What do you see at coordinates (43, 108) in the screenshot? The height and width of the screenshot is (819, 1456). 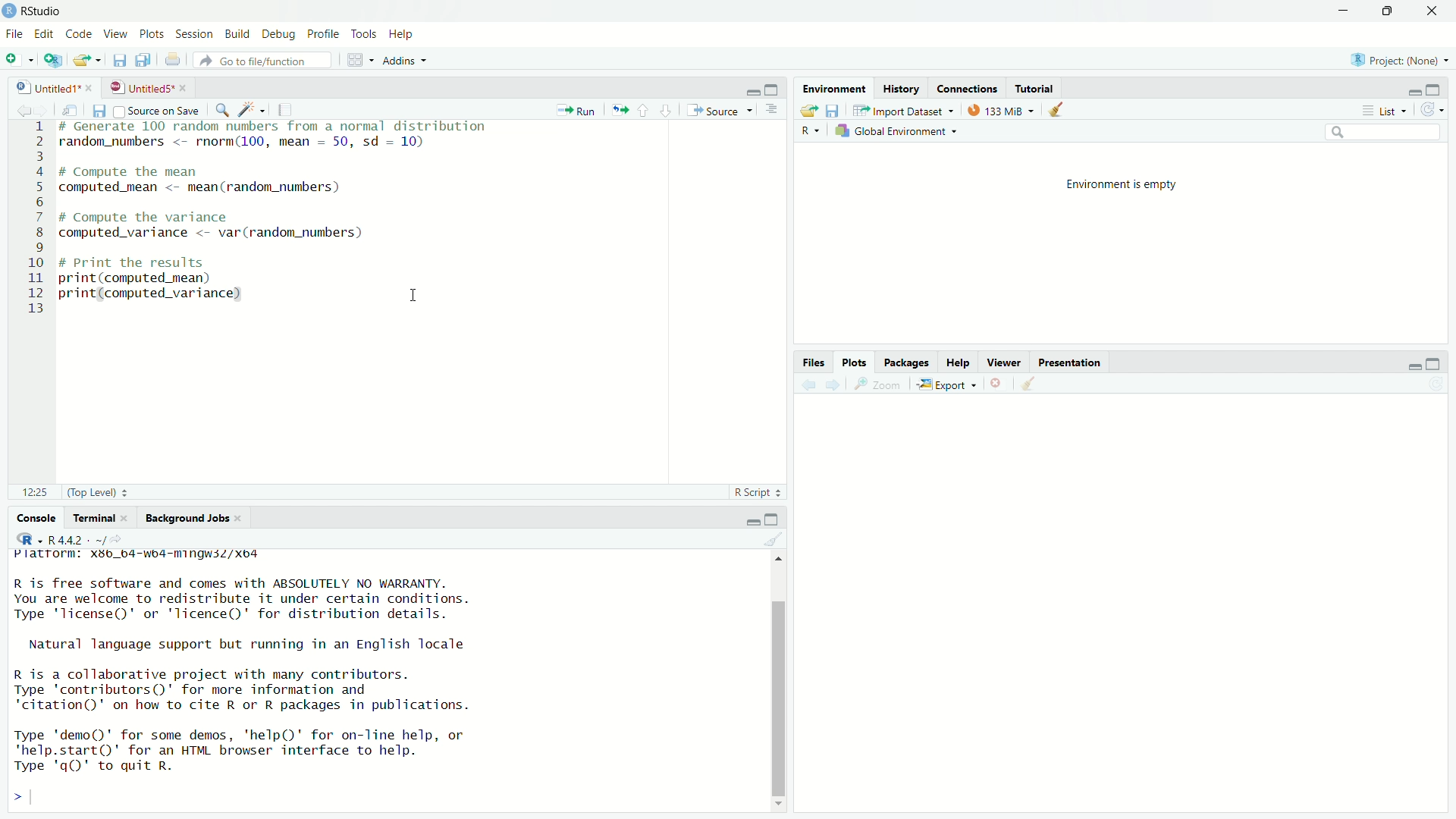 I see `go forward to the next source location` at bounding box center [43, 108].